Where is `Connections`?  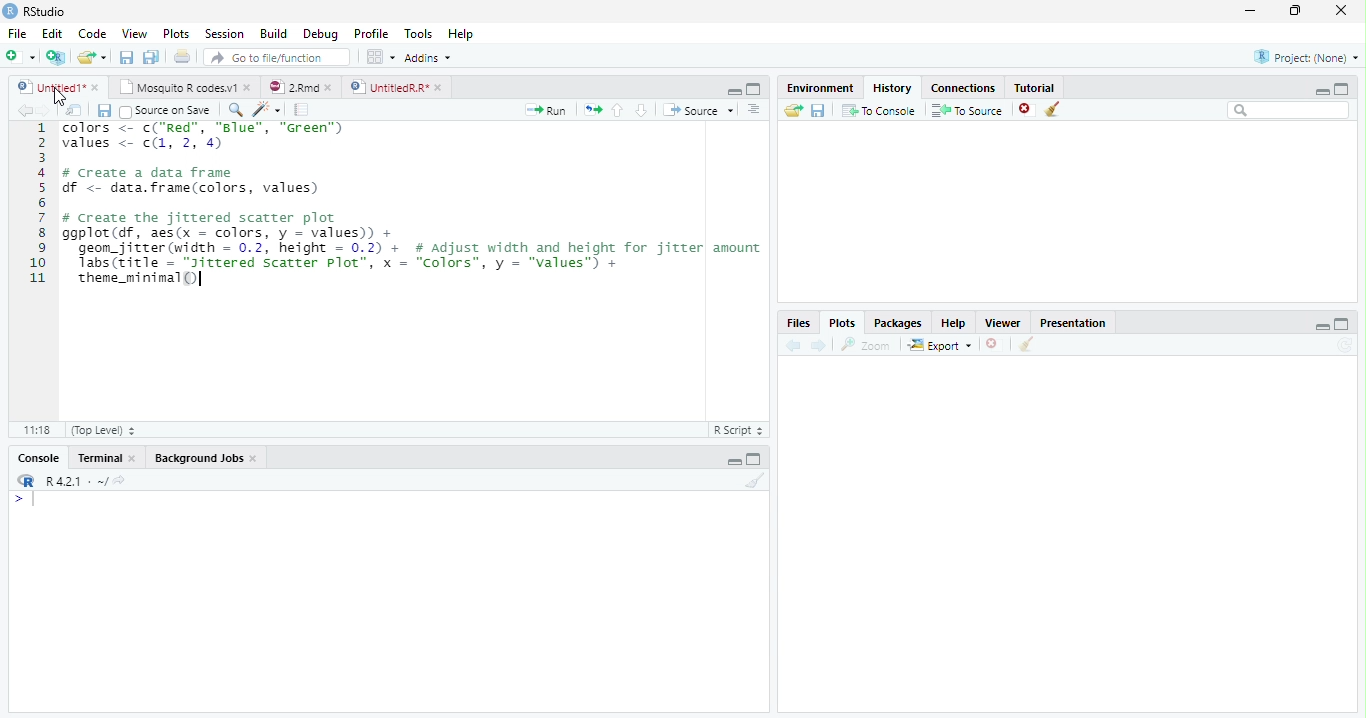
Connections is located at coordinates (963, 88).